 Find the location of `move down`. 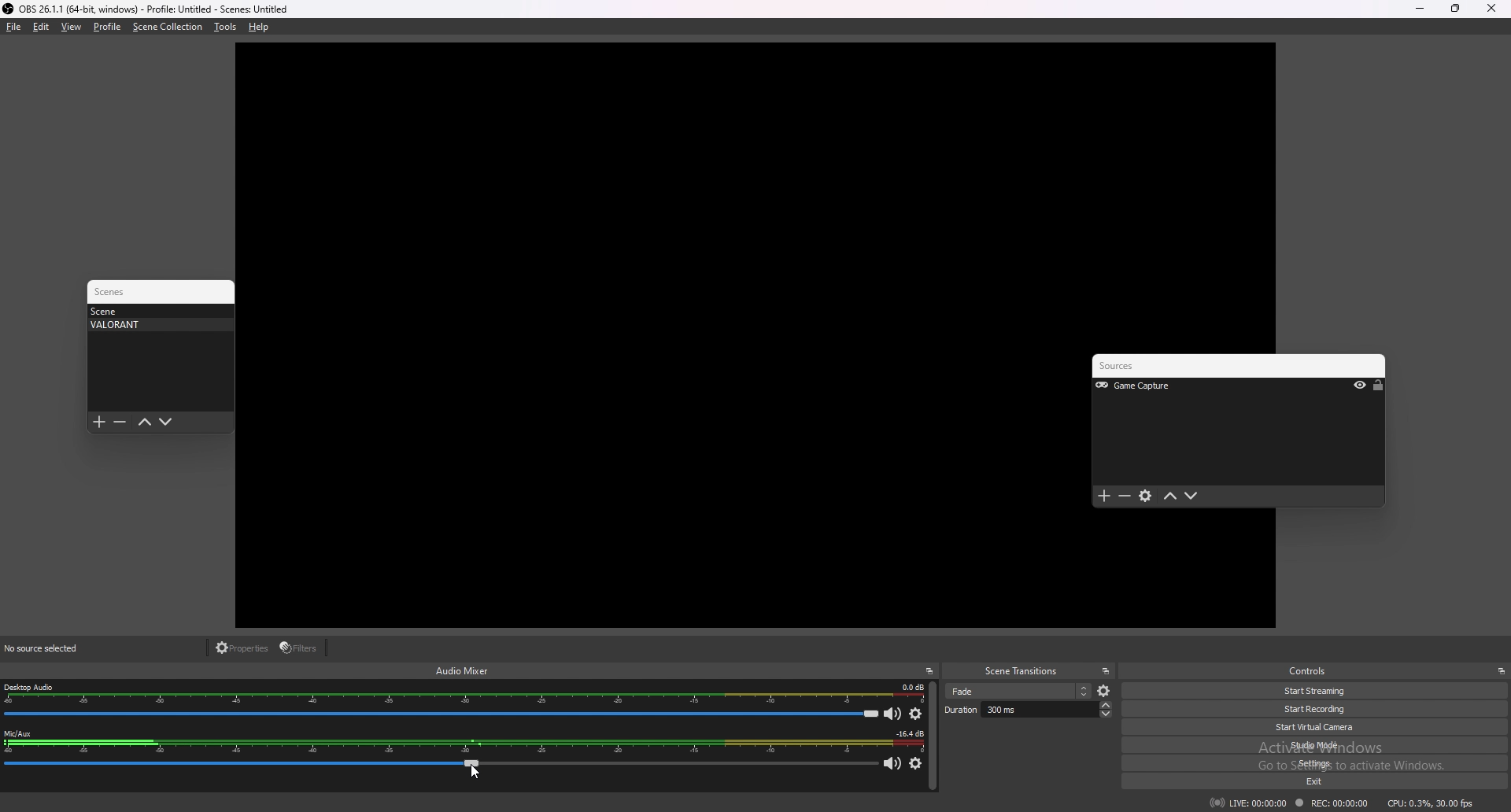

move down is located at coordinates (1191, 496).